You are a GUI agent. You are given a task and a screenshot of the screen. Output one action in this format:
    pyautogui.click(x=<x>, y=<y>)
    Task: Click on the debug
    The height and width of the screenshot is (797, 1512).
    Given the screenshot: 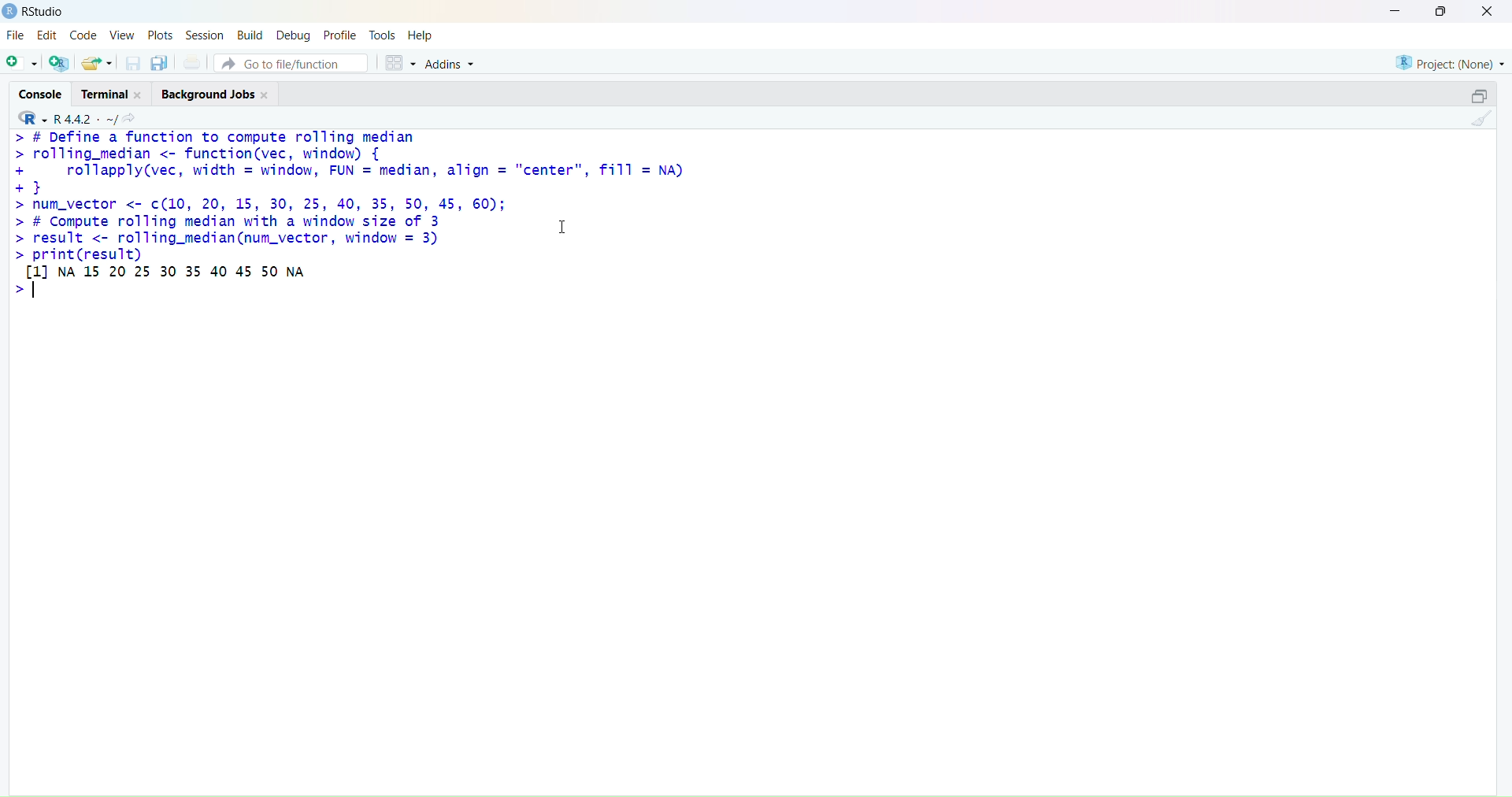 What is the action you would take?
    pyautogui.click(x=292, y=37)
    